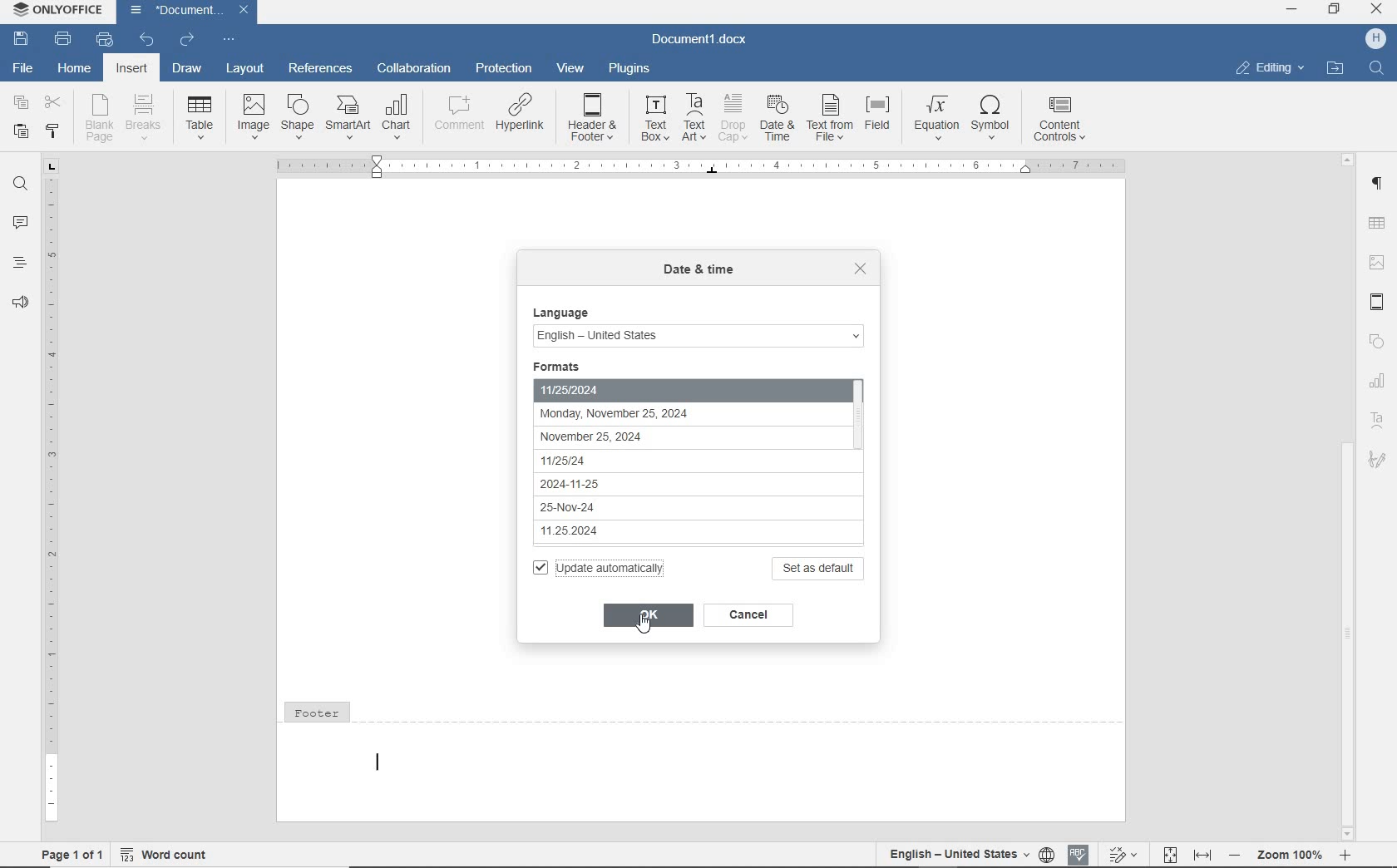 This screenshot has width=1397, height=868. Describe the element at coordinates (1374, 220) in the screenshot. I see `table` at that location.